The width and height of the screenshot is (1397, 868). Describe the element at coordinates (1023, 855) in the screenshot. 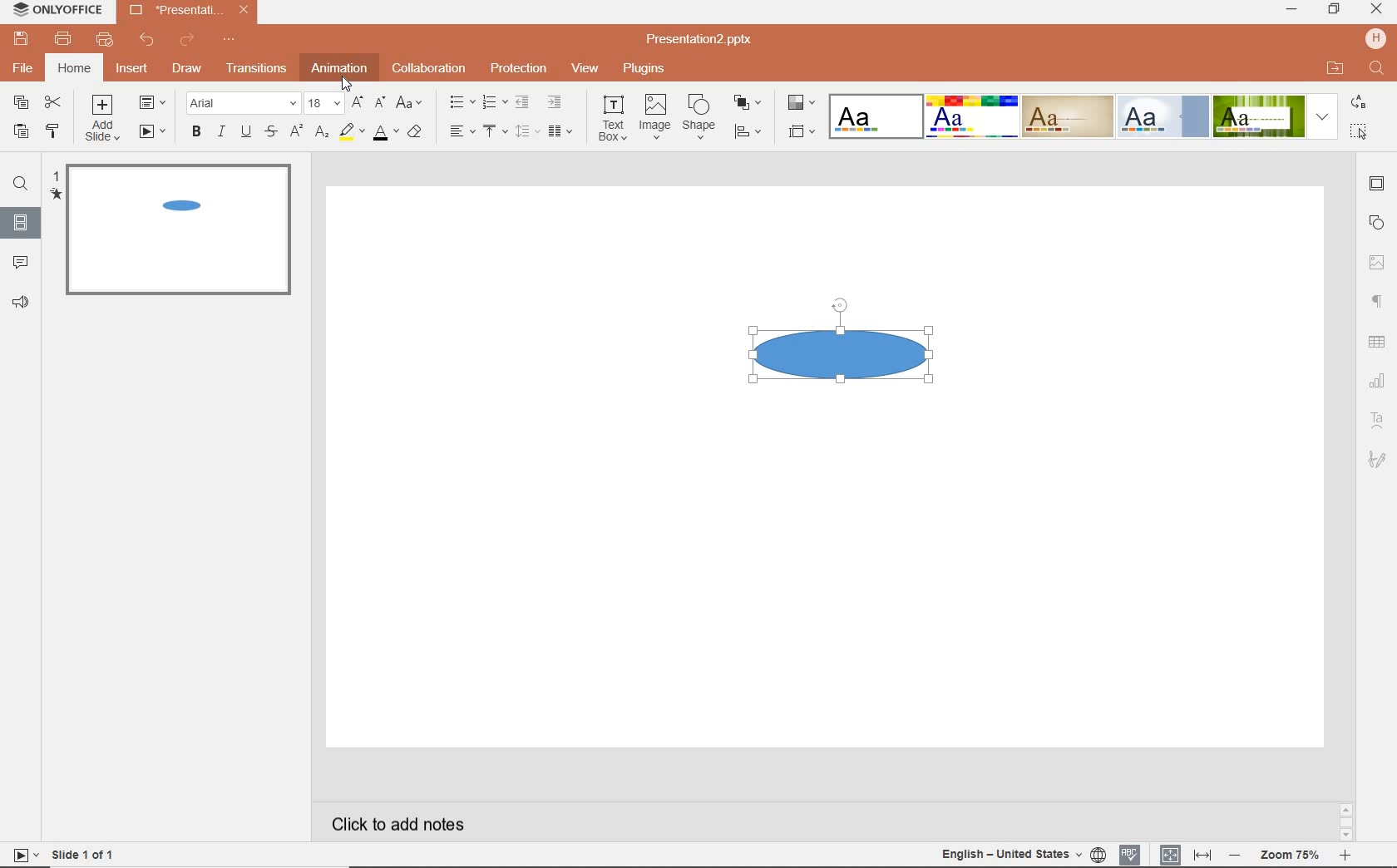

I see `TEXT LANGUAGE` at that location.